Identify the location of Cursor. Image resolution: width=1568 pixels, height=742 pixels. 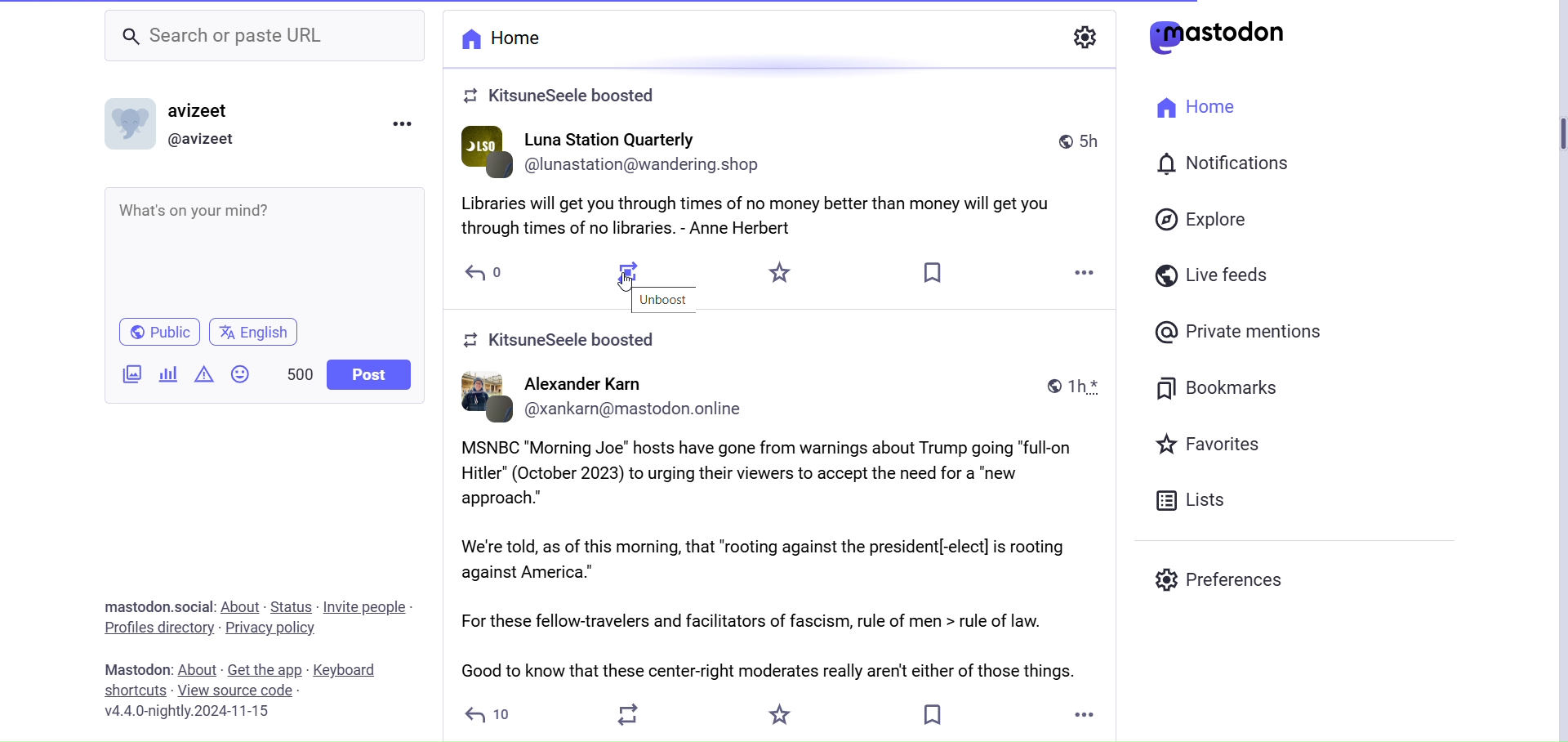
(626, 284).